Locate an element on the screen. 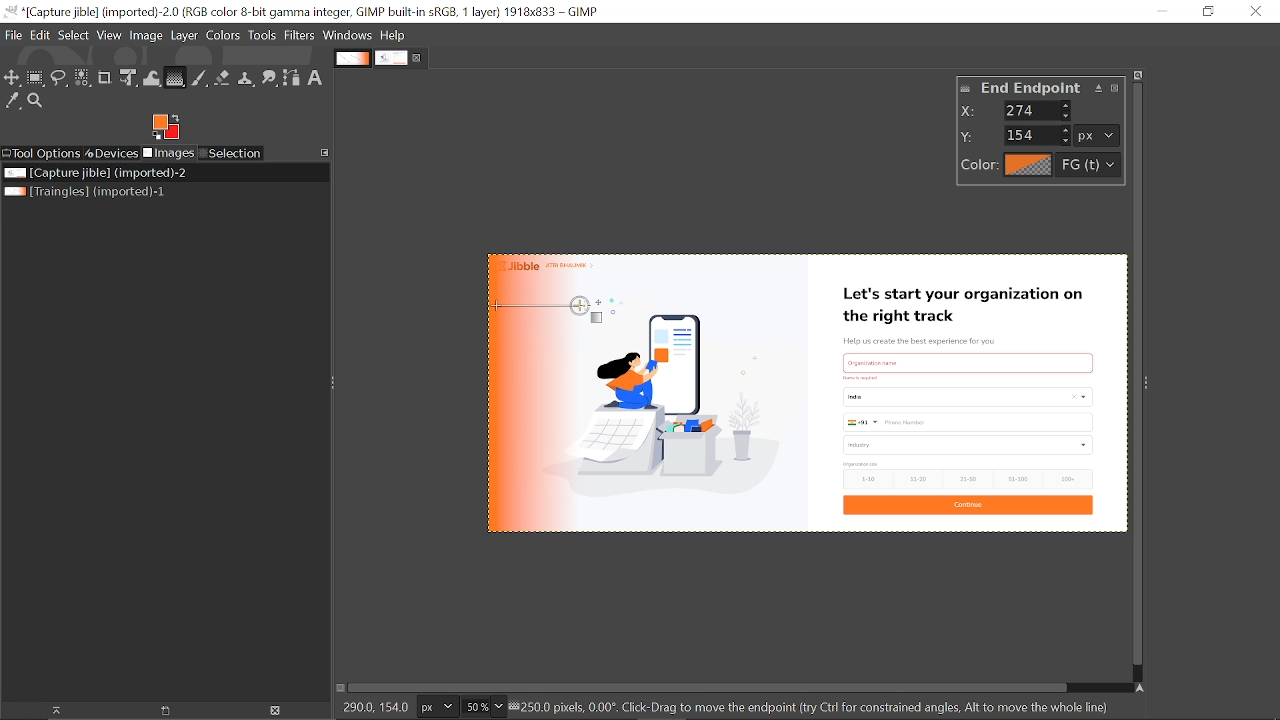  Tools is located at coordinates (264, 35).